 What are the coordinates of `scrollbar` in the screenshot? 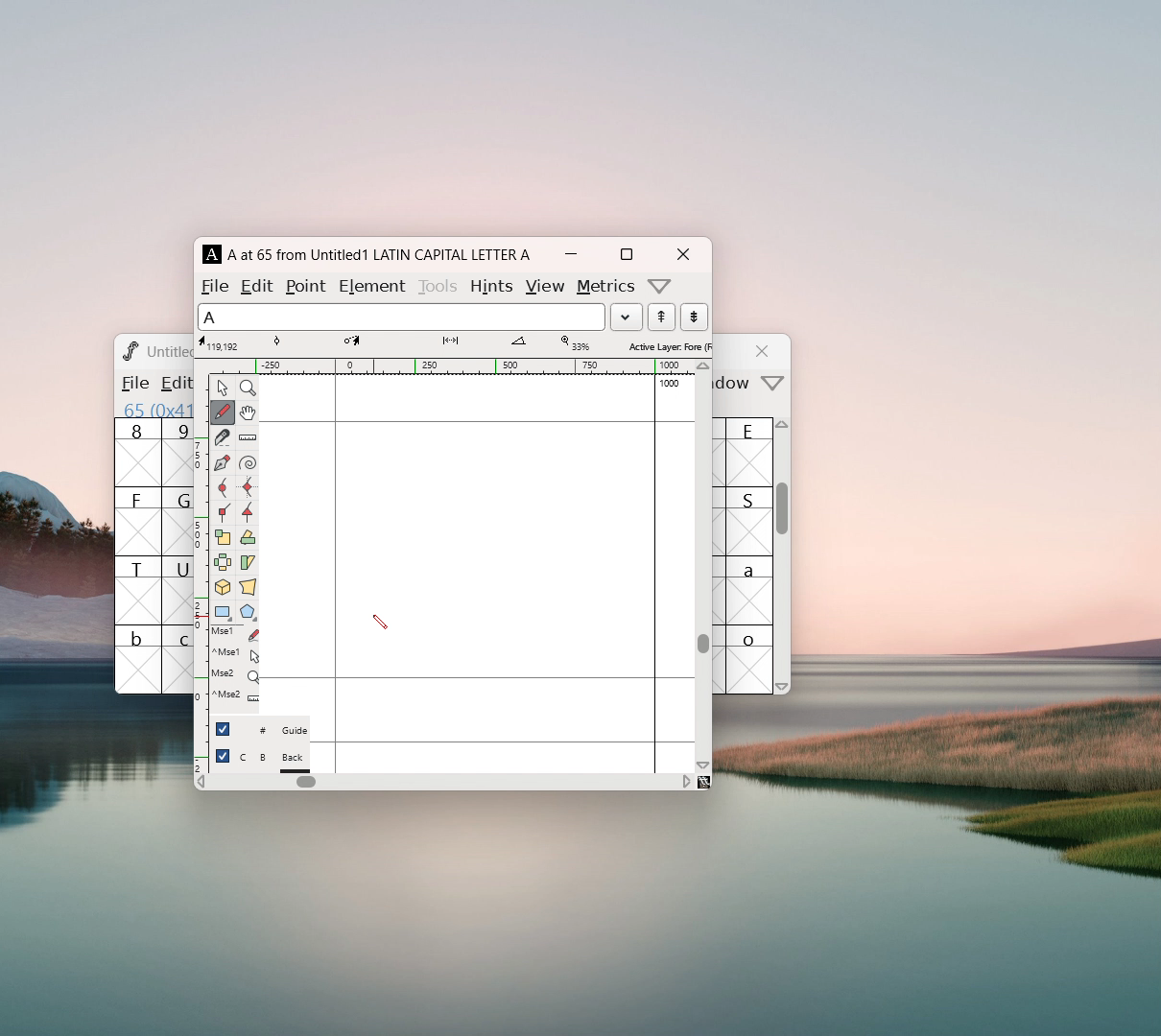 It's located at (783, 518).